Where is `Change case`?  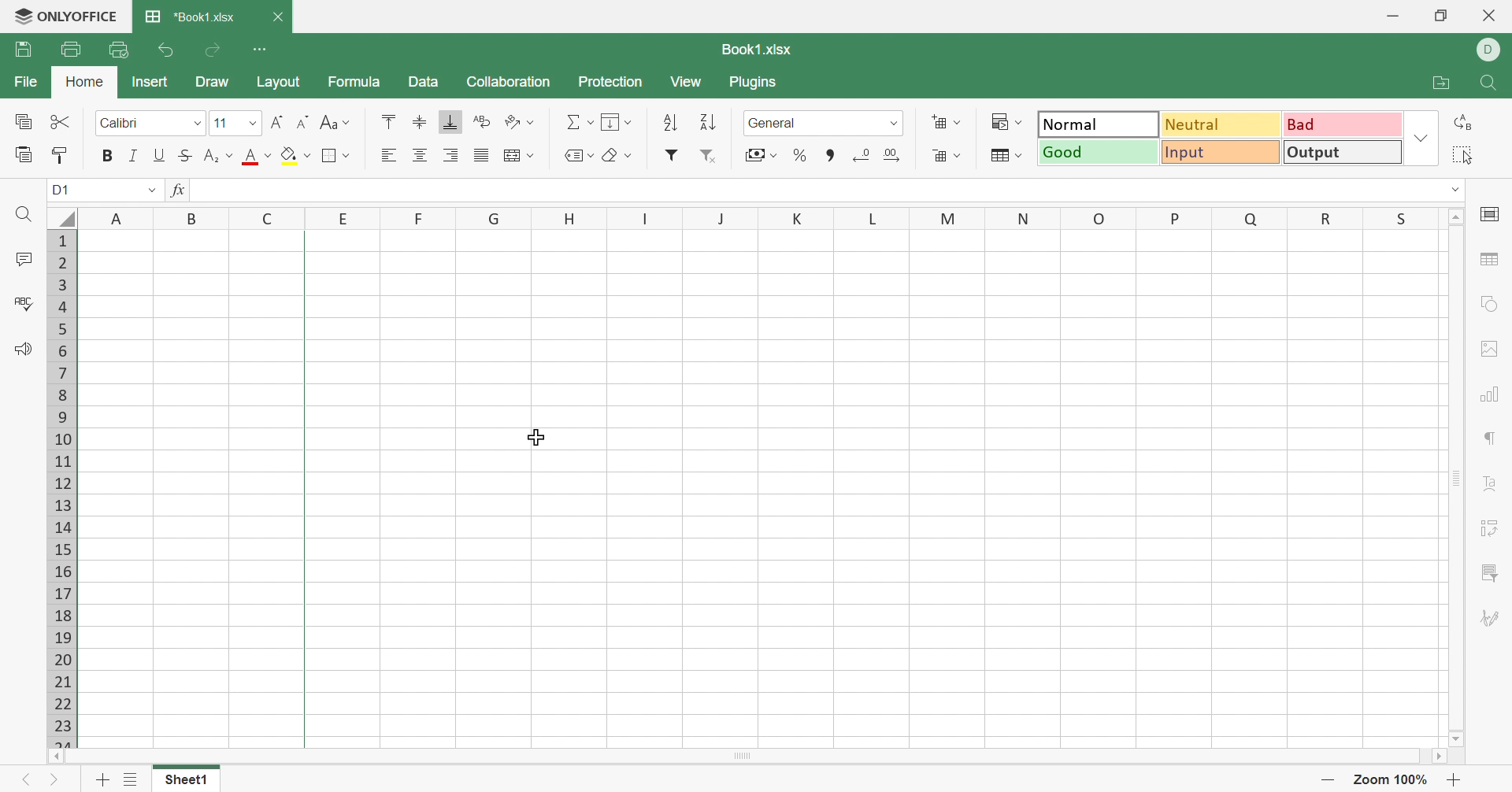 Change case is located at coordinates (328, 120).